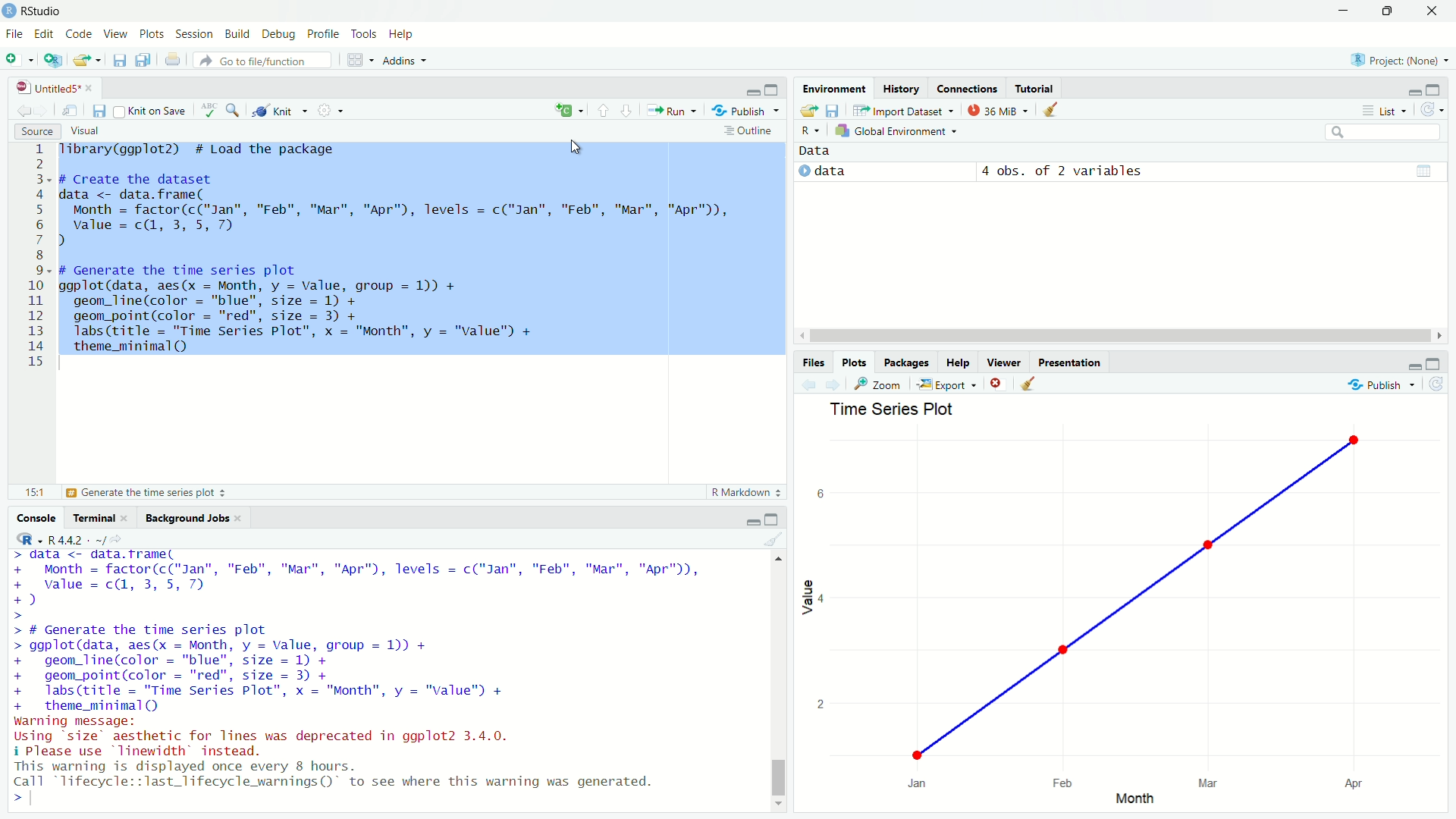  I want to click on data, so click(821, 152).